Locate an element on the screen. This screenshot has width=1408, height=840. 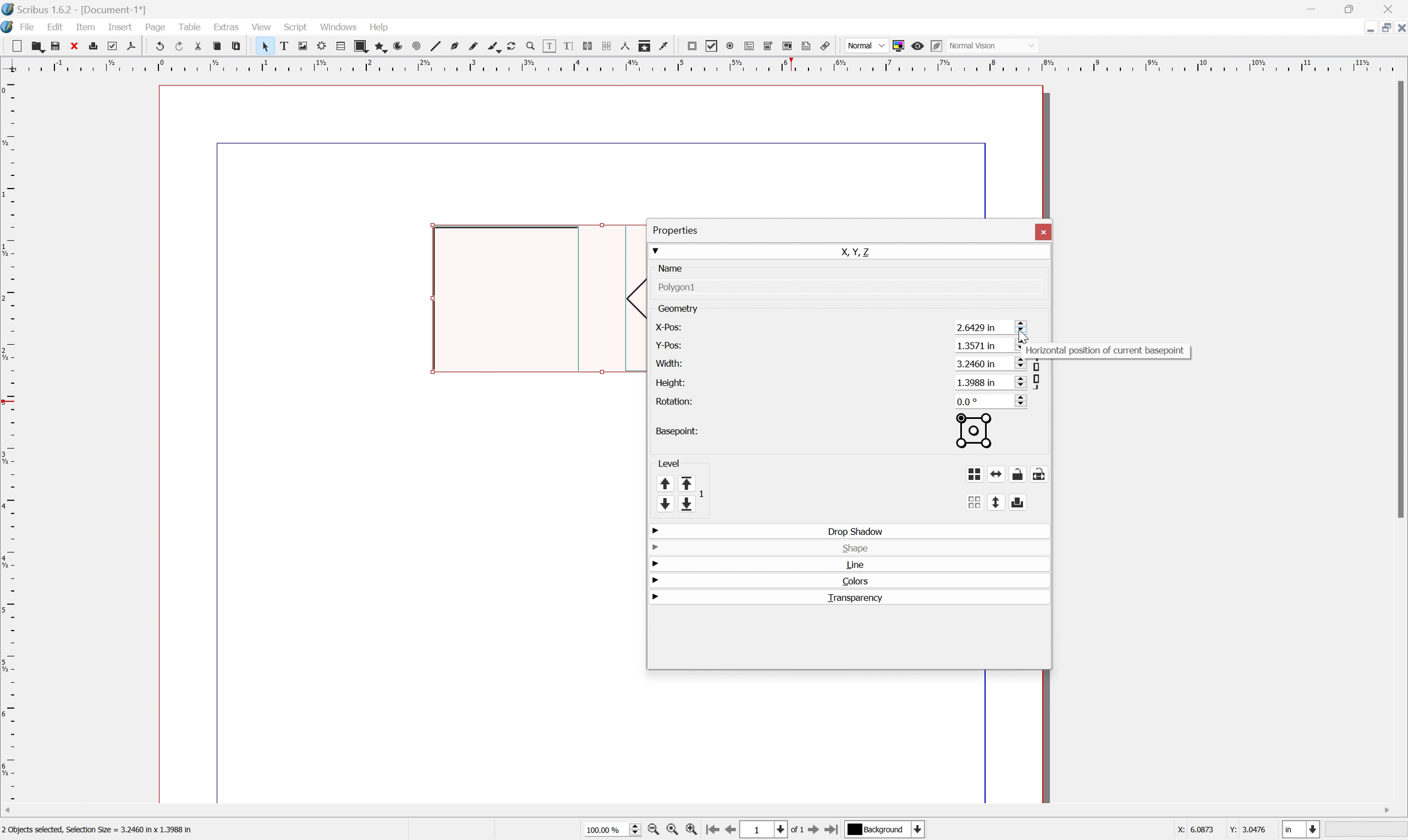
drop down is located at coordinates (656, 529).